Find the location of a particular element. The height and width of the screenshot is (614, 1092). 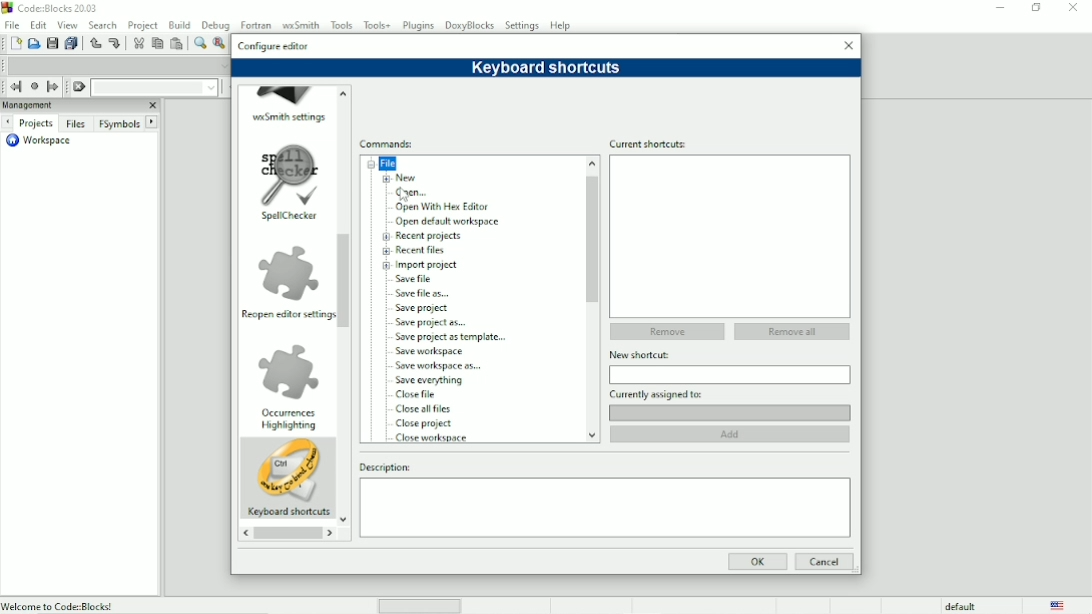

Down is located at coordinates (591, 433).